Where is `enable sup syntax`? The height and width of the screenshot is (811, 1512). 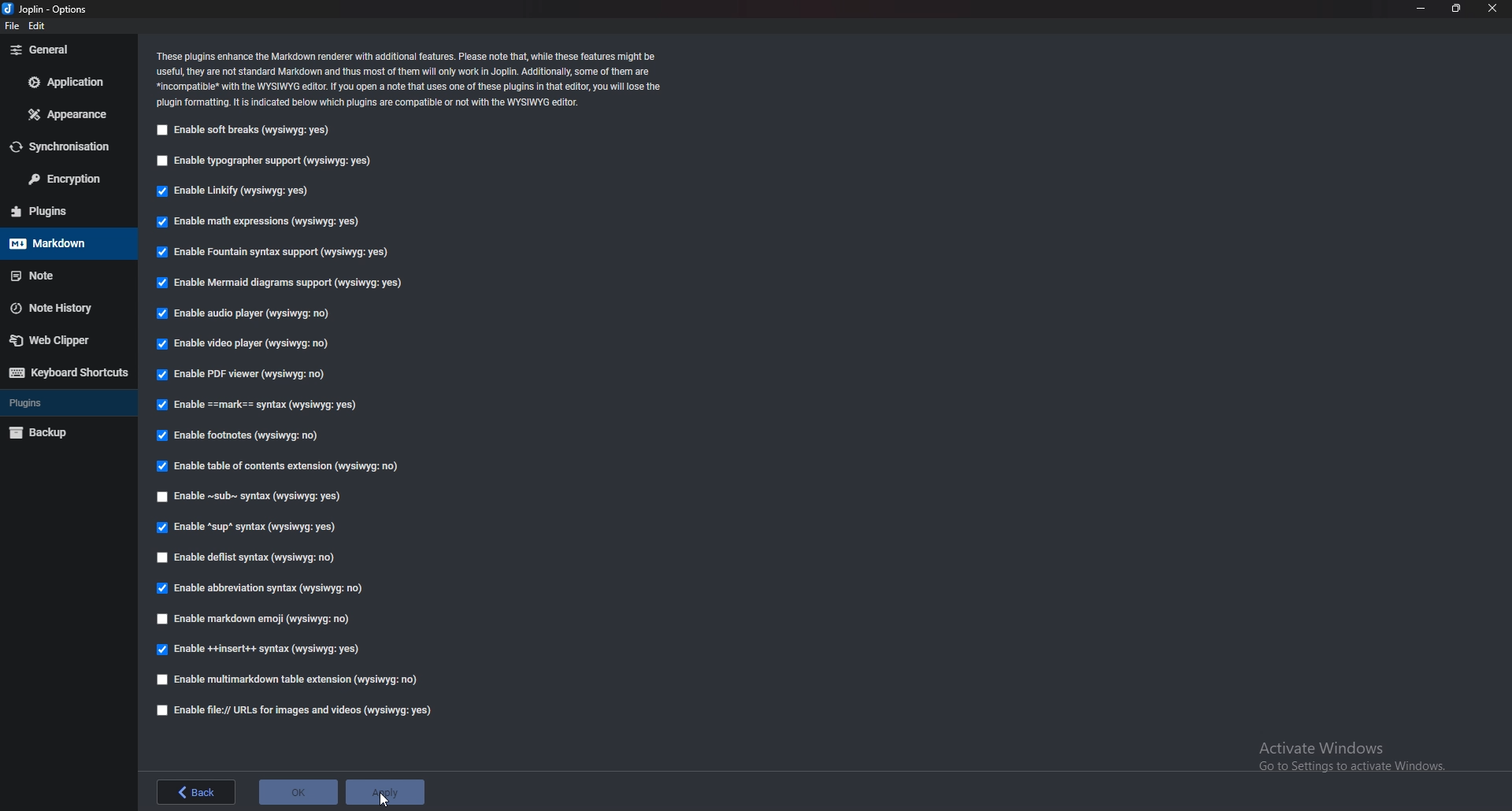
enable sup syntax is located at coordinates (247, 528).